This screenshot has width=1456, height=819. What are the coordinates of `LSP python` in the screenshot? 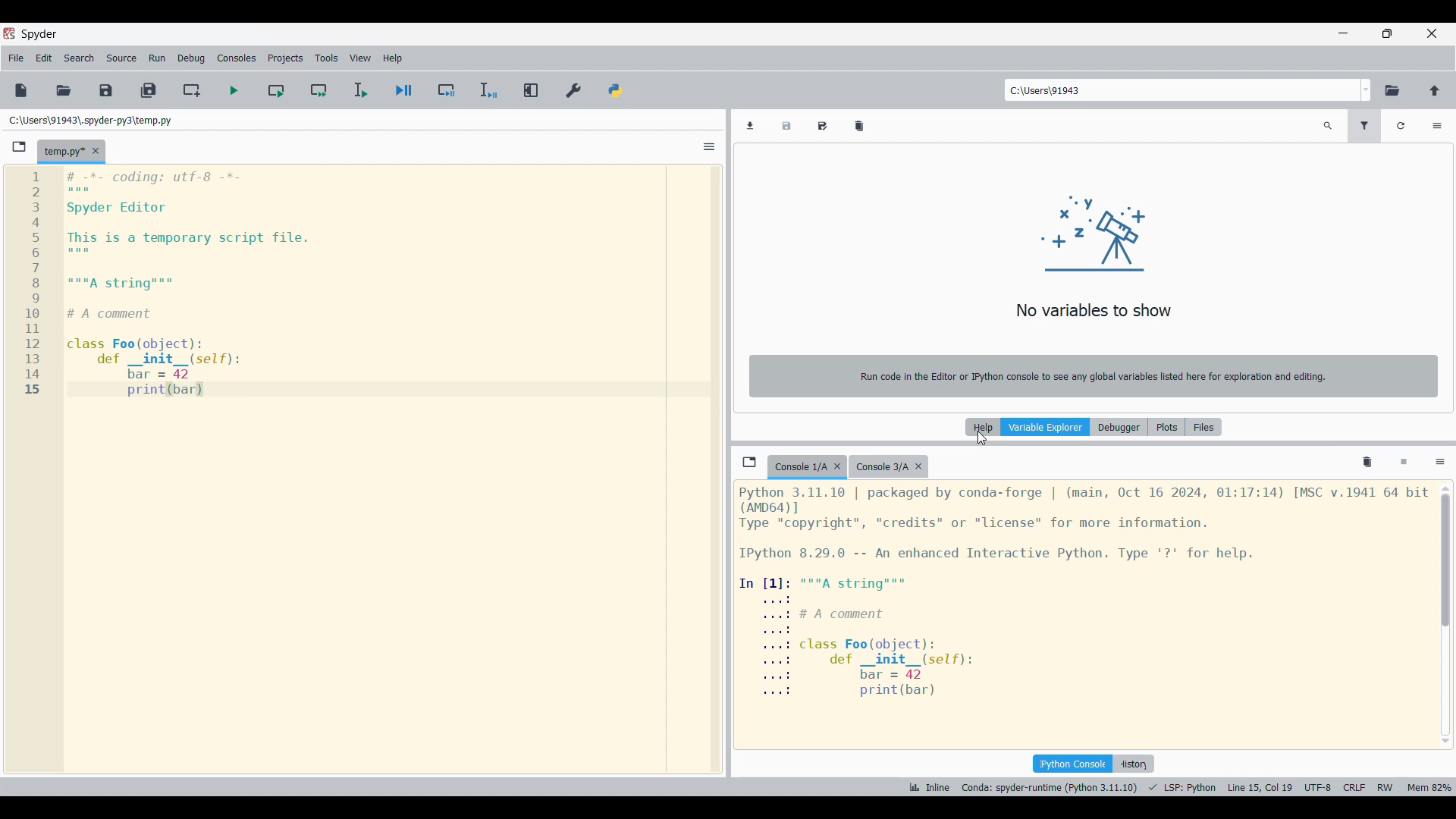 It's located at (1185, 786).